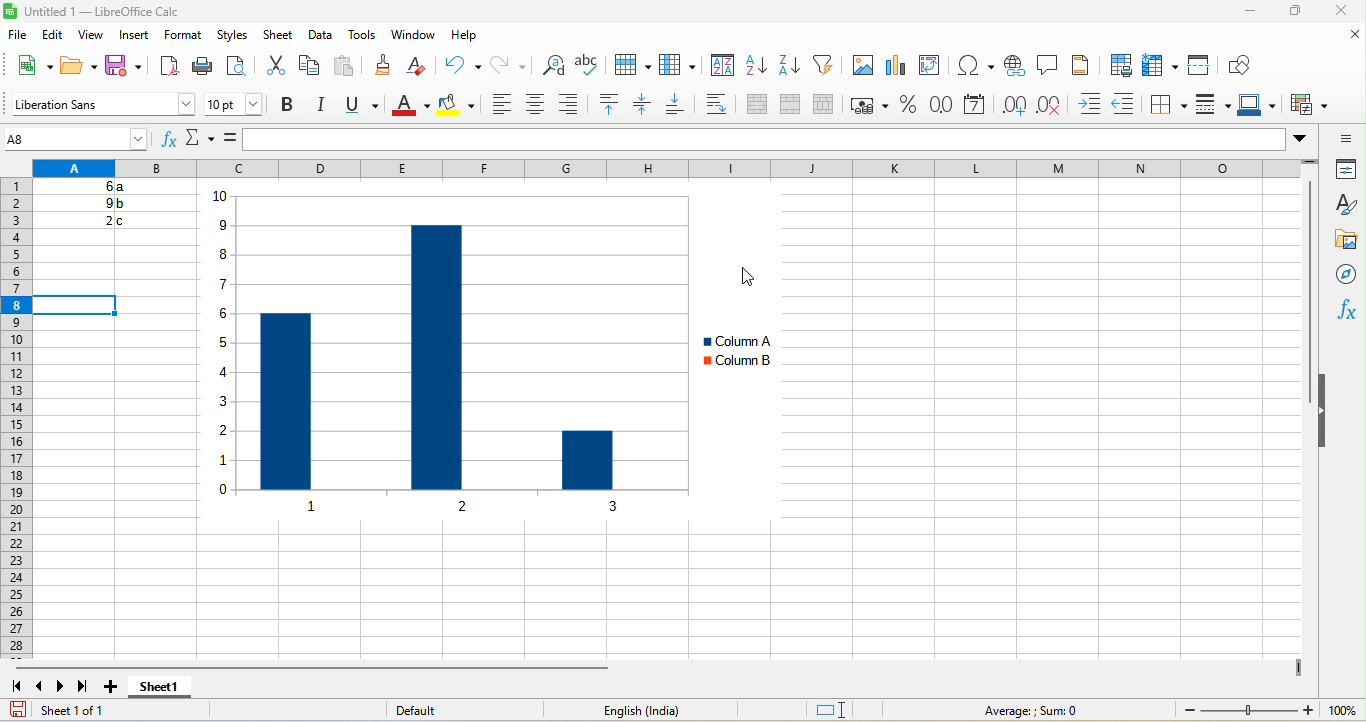 The image size is (1366, 722). Describe the element at coordinates (759, 72) in the screenshot. I see `sort ascending` at that location.